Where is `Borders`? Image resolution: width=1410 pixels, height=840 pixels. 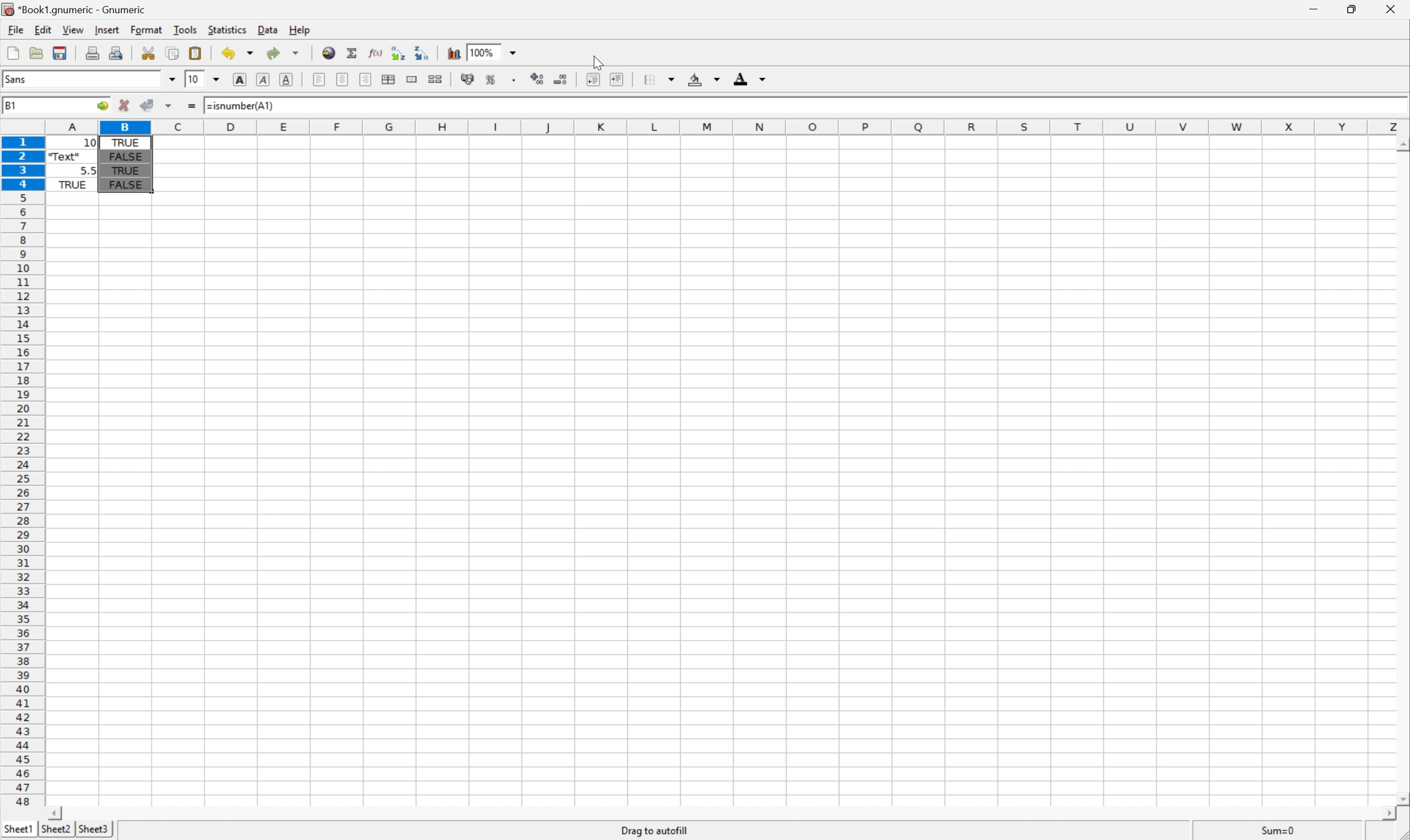 Borders is located at coordinates (659, 79).